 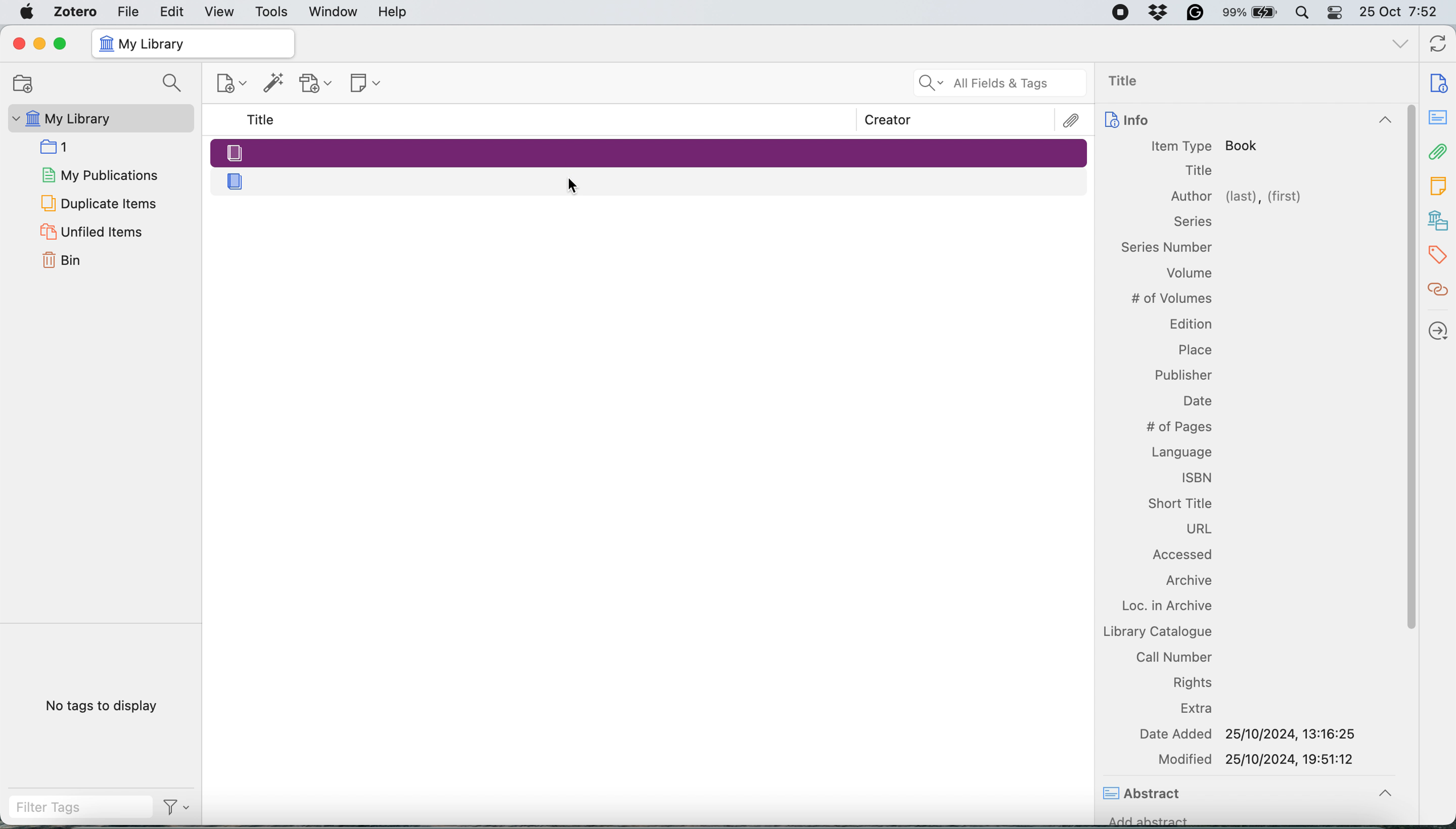 I want to click on Title, so click(x=263, y=120).